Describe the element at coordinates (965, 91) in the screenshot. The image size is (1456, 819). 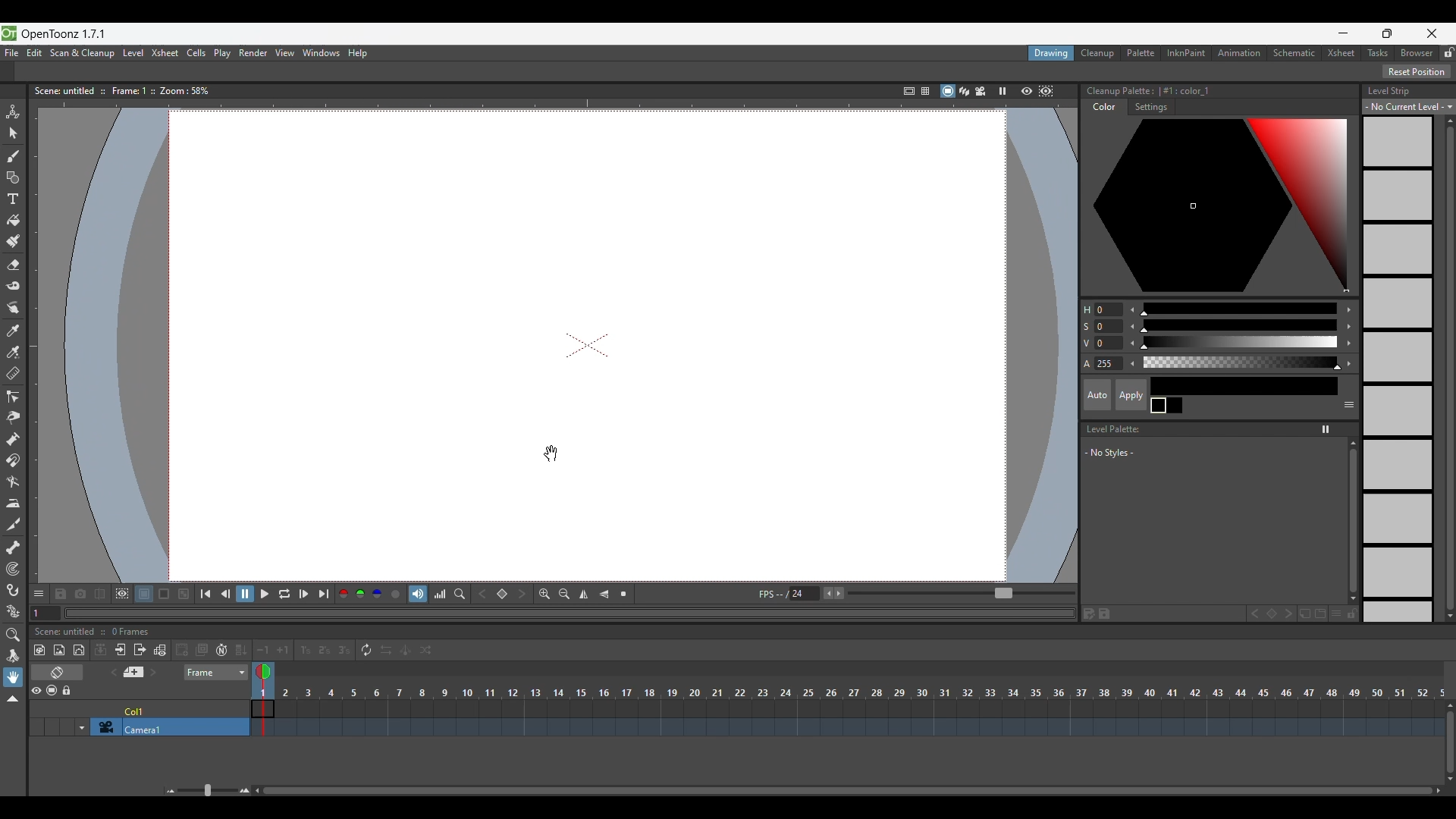
I see `3D view` at that location.